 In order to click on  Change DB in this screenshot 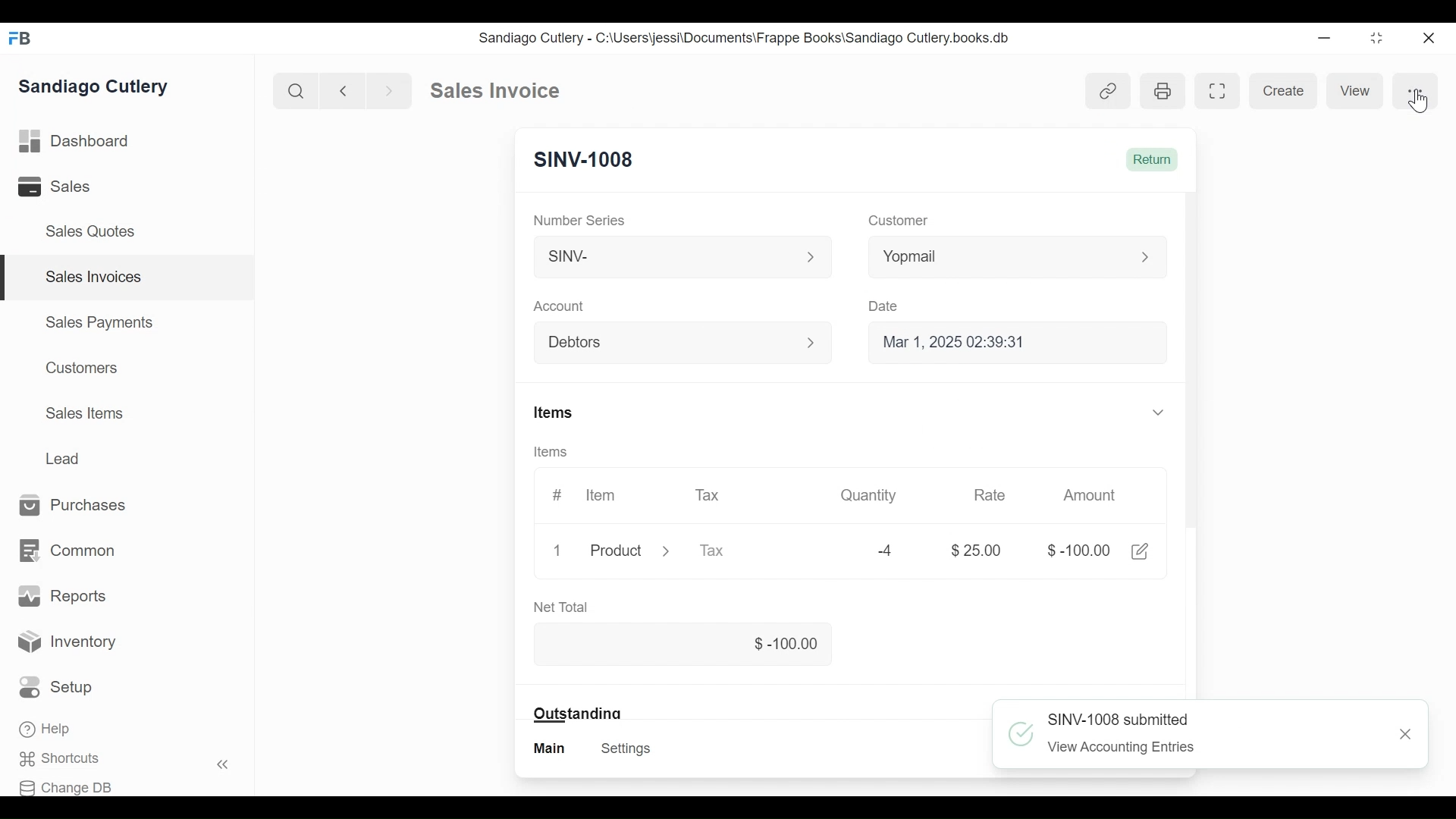, I will do `click(67, 787)`.